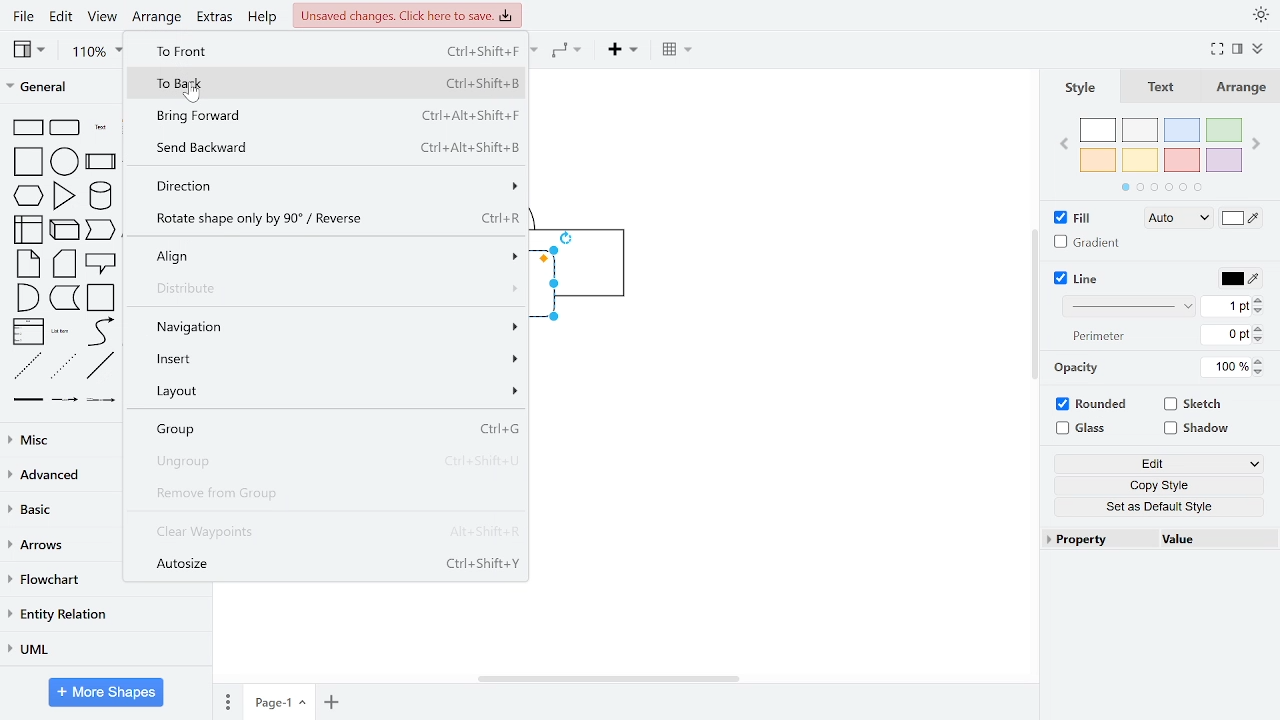  I want to click on hexagon, so click(28, 196).